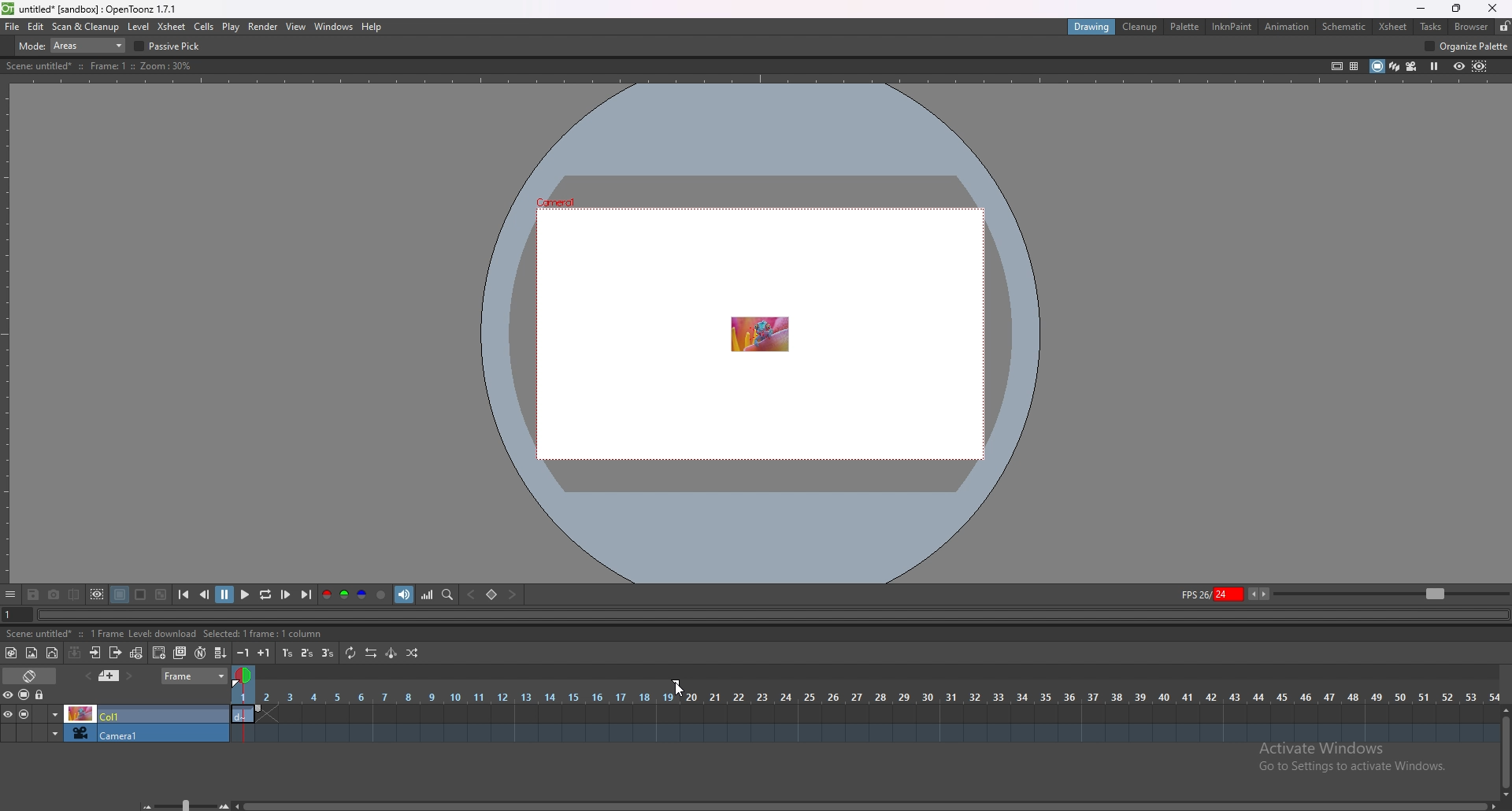  What do you see at coordinates (1459, 66) in the screenshot?
I see `preview` at bounding box center [1459, 66].